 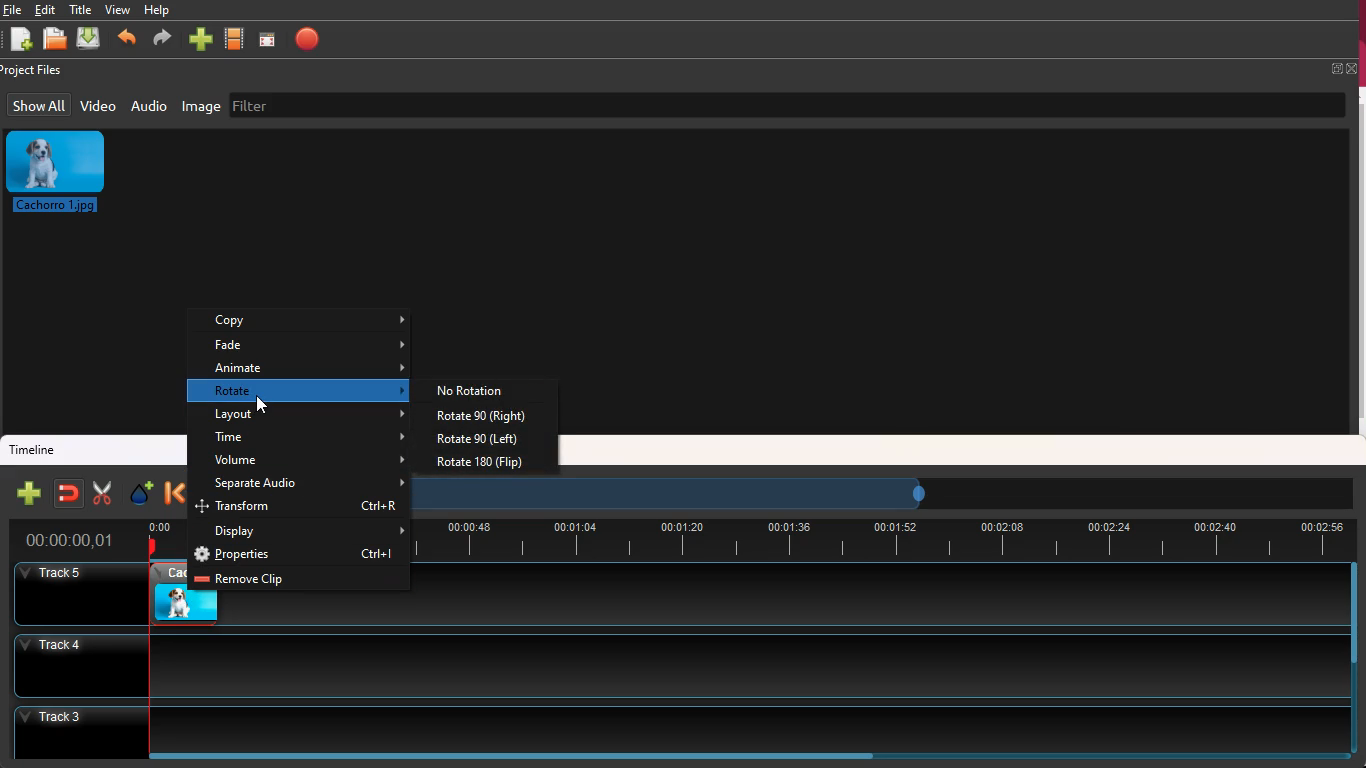 What do you see at coordinates (30, 494) in the screenshot?
I see `new` at bounding box center [30, 494].